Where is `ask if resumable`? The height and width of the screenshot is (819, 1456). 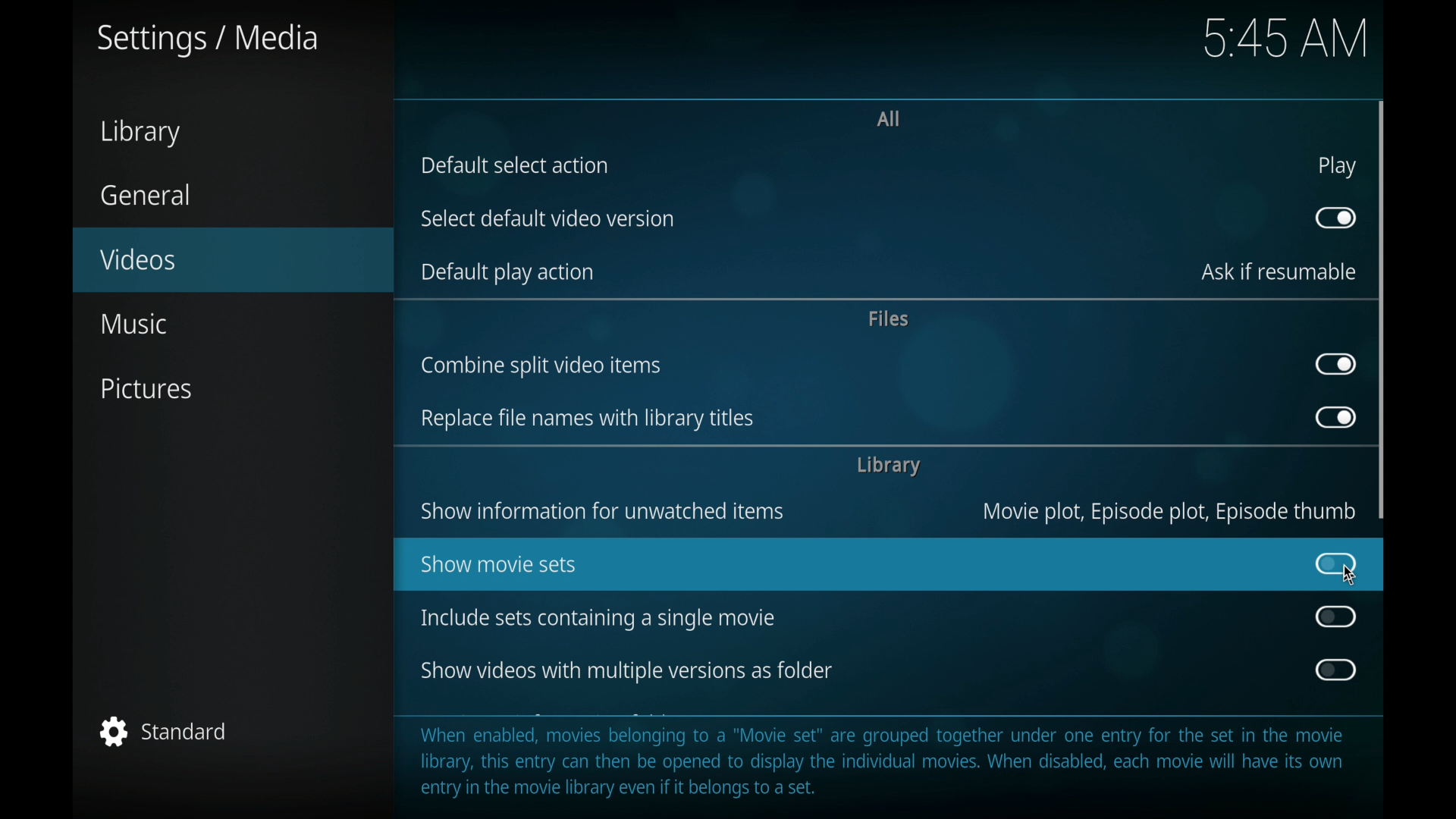
ask if resumable is located at coordinates (1279, 271).